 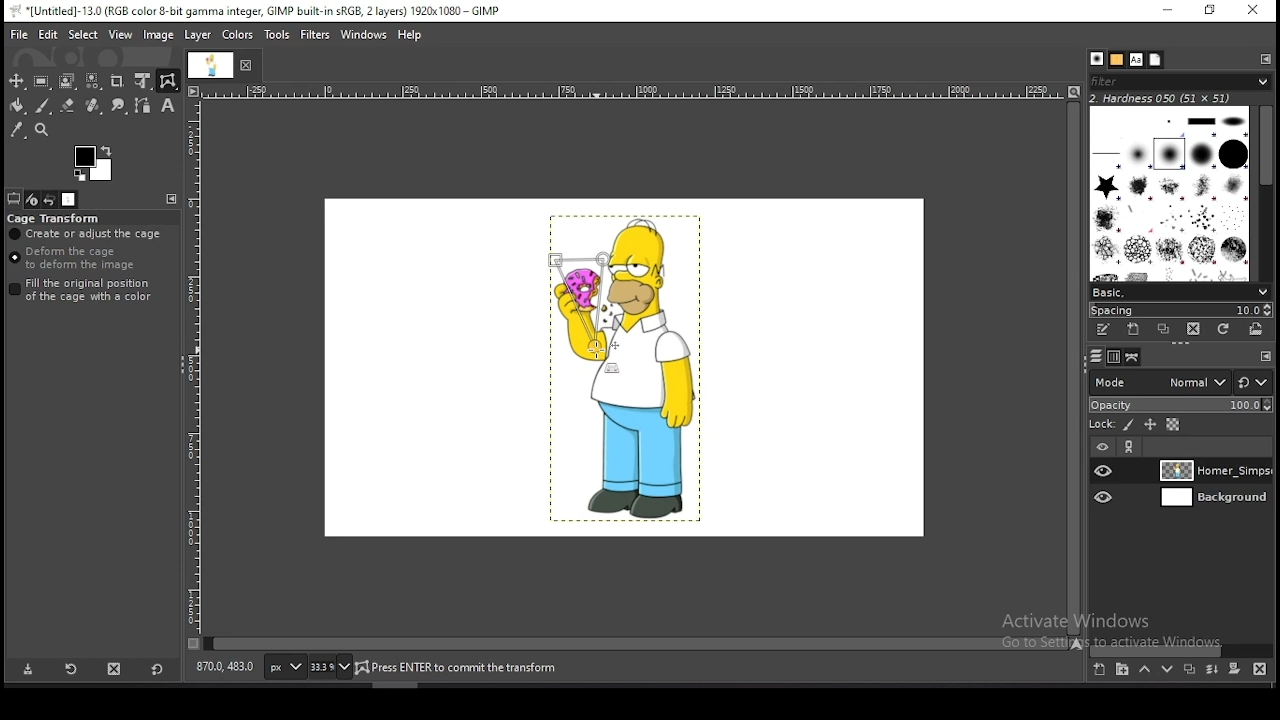 What do you see at coordinates (1256, 328) in the screenshot?
I see `open brush as image` at bounding box center [1256, 328].